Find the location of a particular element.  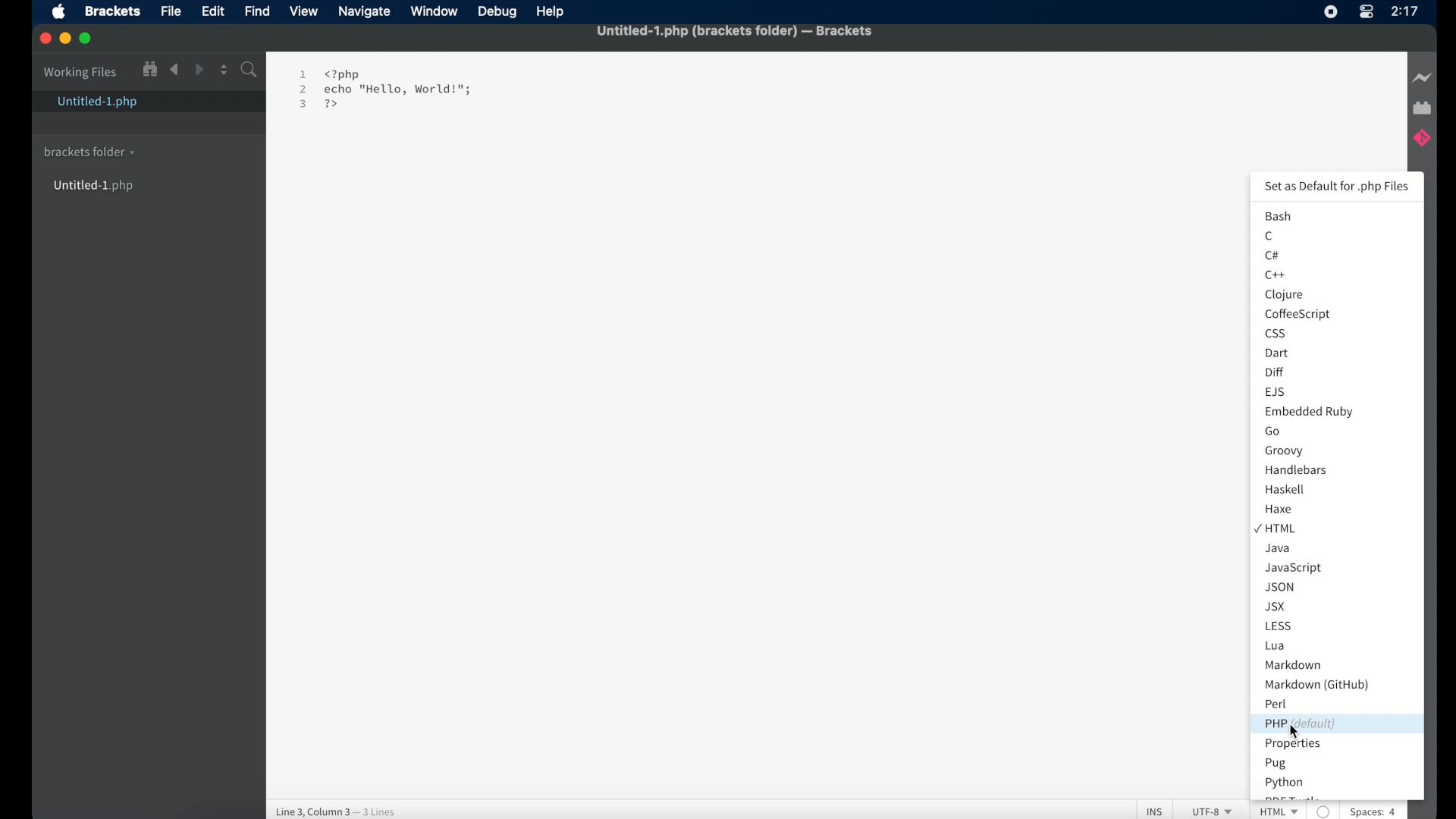

go is located at coordinates (1275, 432).